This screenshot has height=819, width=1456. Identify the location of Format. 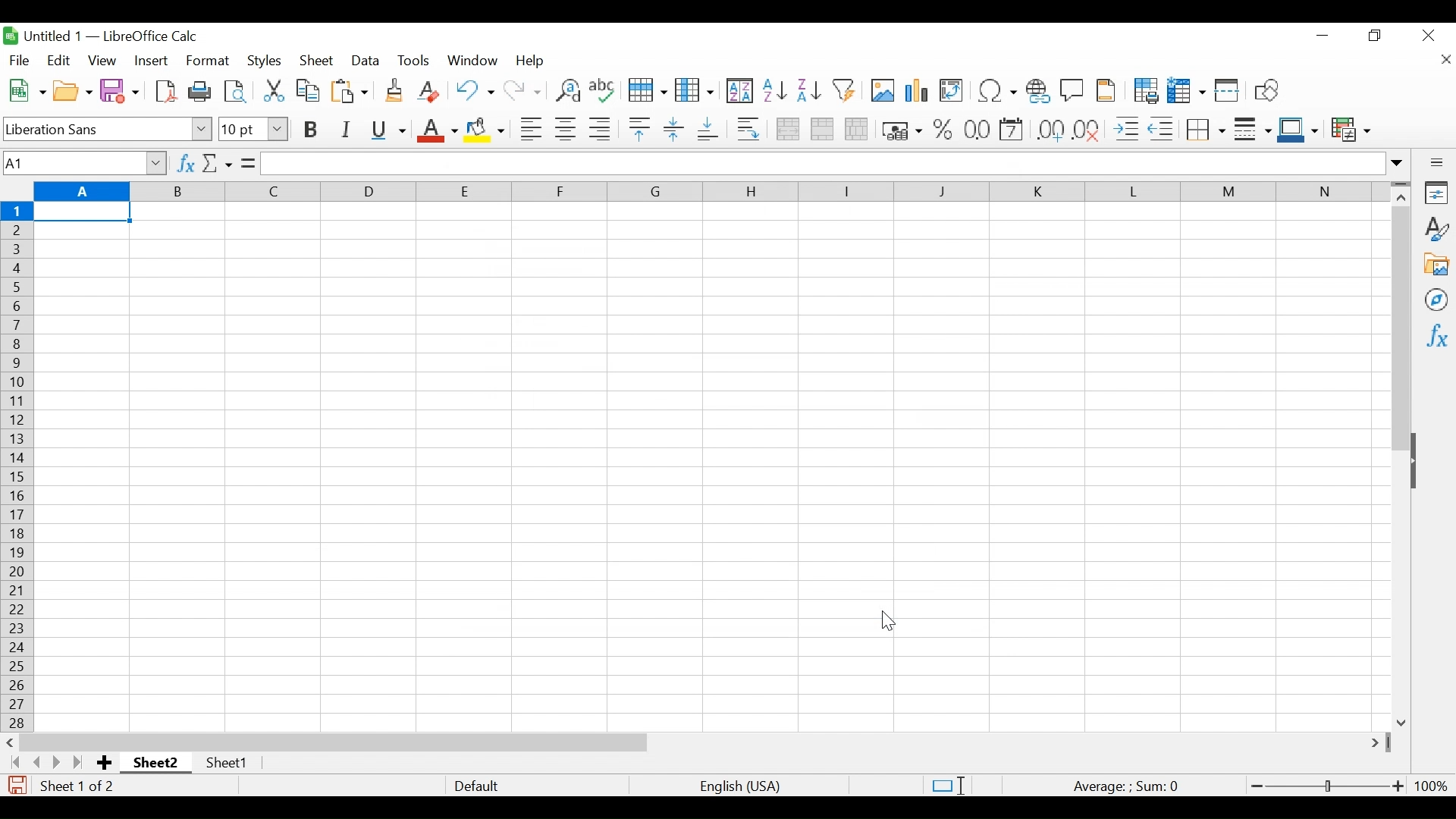
(206, 61).